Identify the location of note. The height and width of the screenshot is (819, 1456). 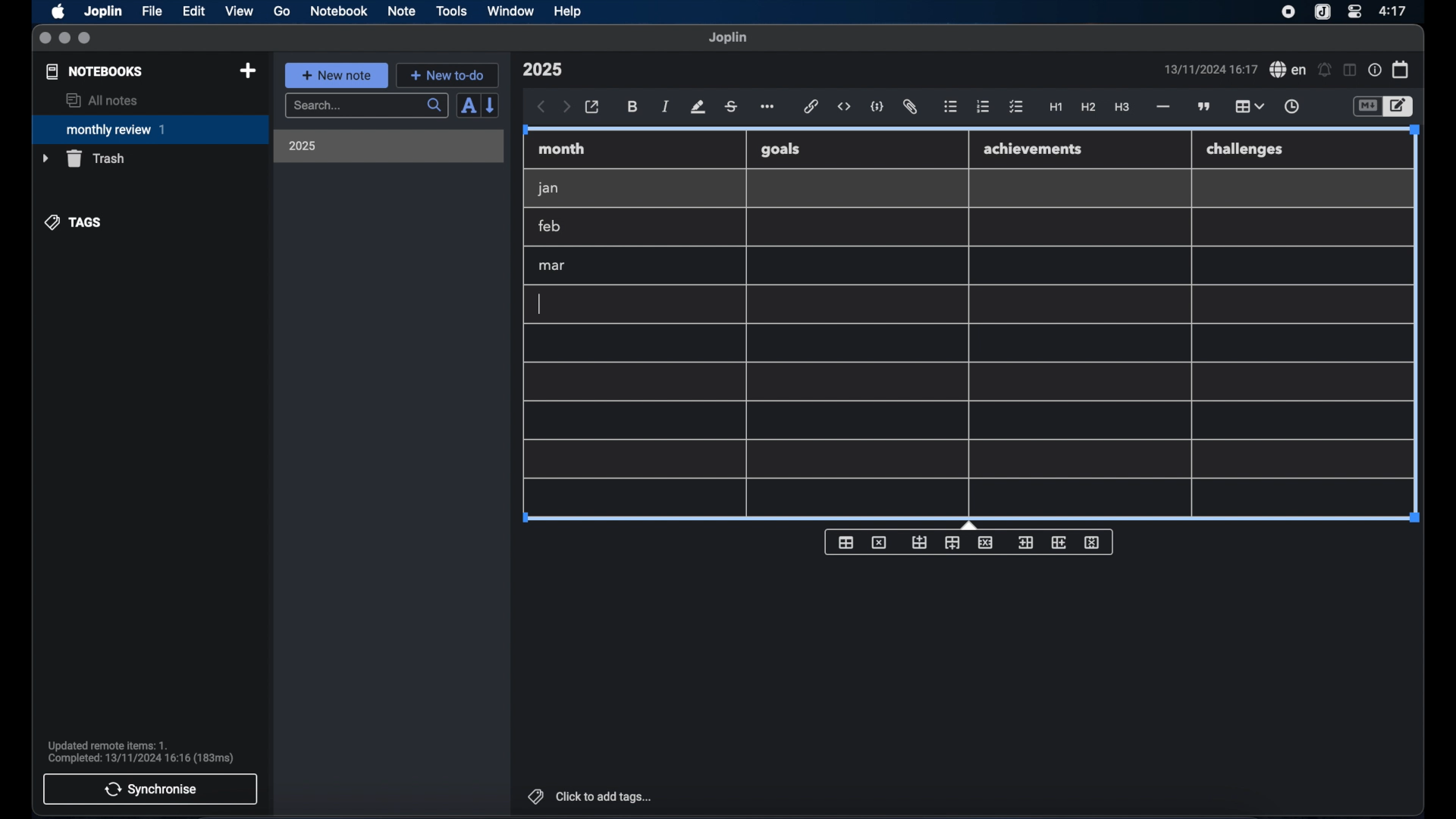
(402, 11).